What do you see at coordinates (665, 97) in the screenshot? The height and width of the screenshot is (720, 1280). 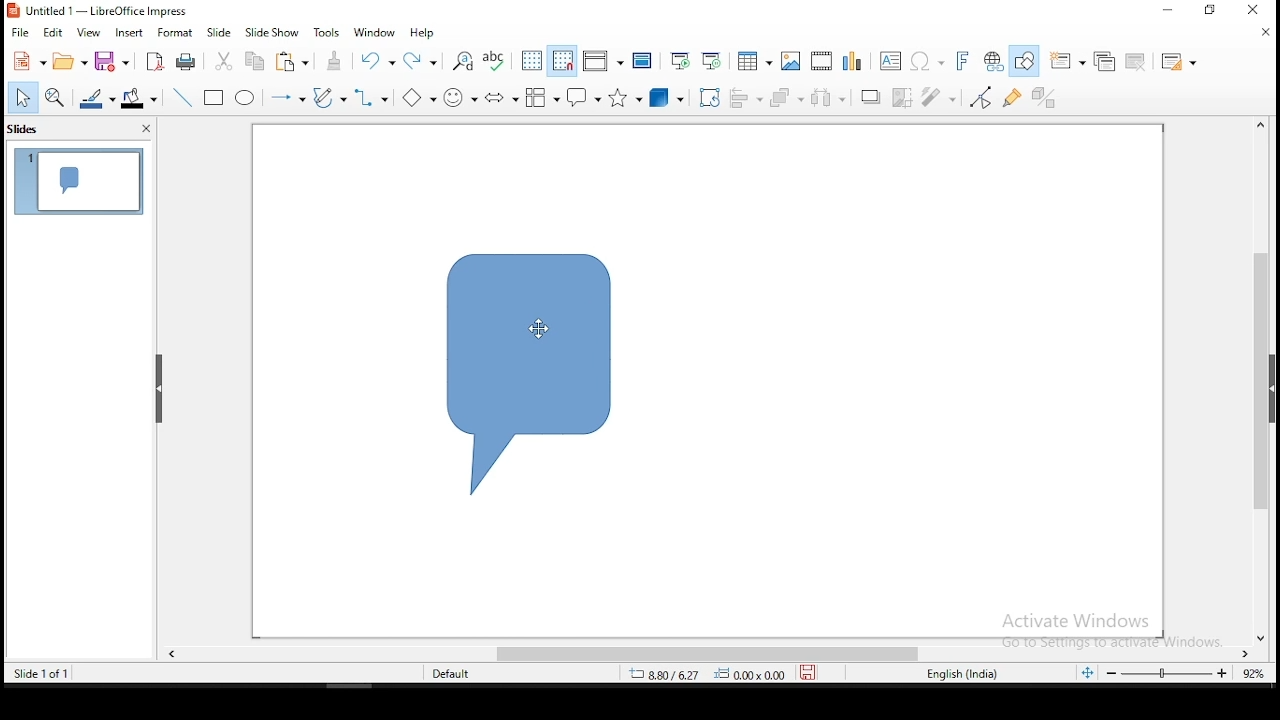 I see `3D objects` at bounding box center [665, 97].